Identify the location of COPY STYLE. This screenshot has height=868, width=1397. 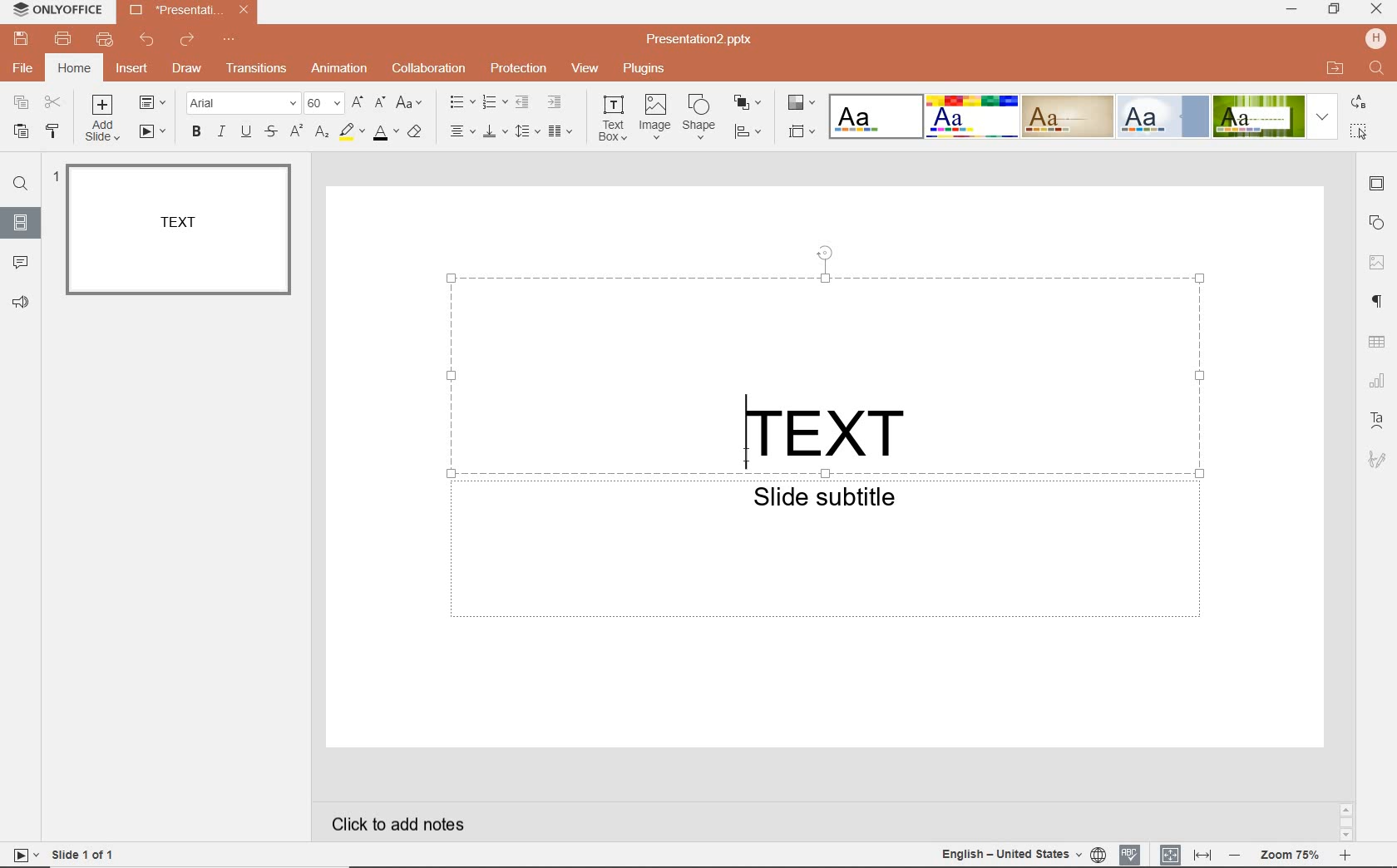
(52, 131).